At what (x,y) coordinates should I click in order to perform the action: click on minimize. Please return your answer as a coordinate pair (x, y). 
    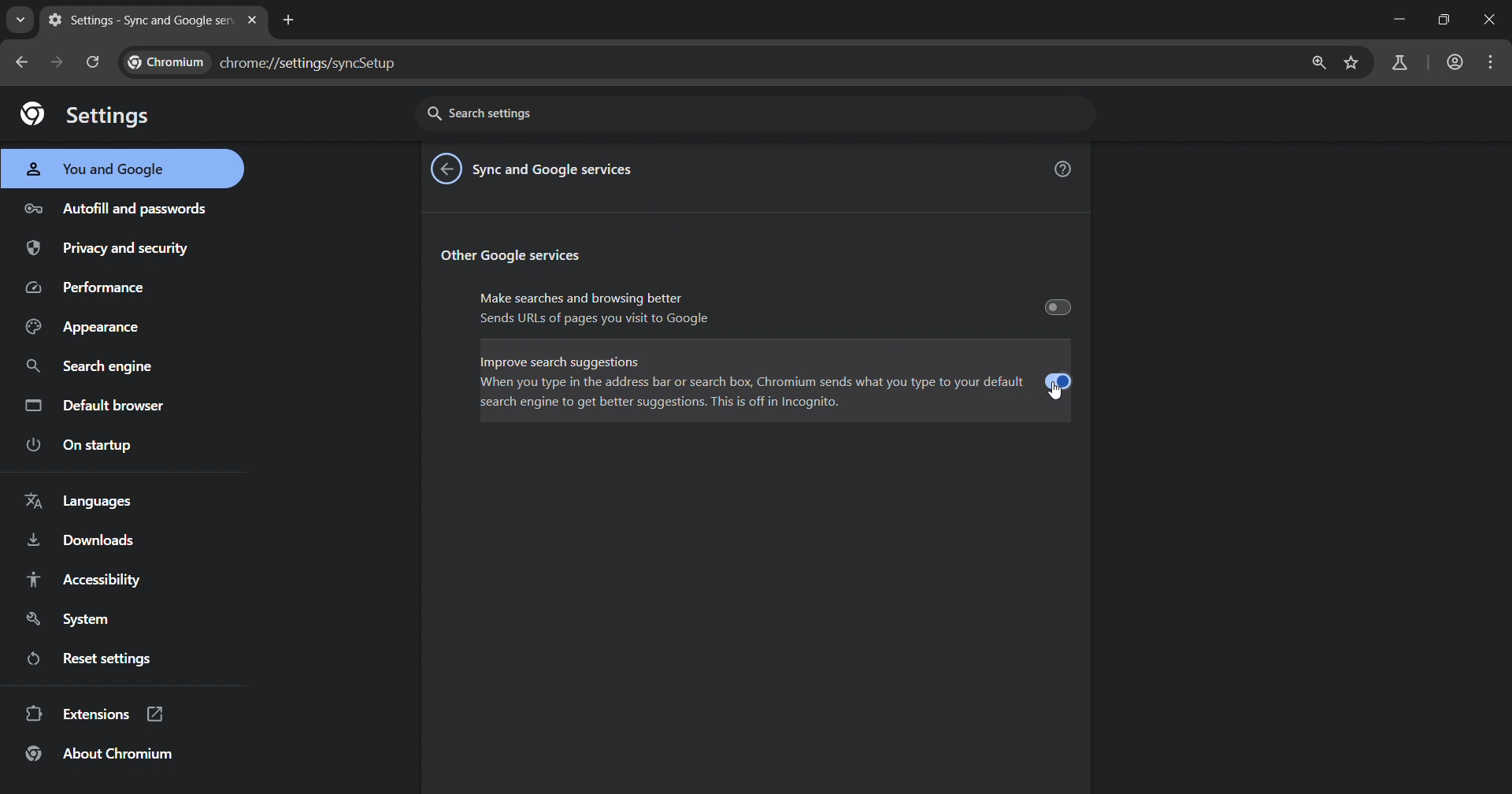
    Looking at the image, I should click on (1395, 20).